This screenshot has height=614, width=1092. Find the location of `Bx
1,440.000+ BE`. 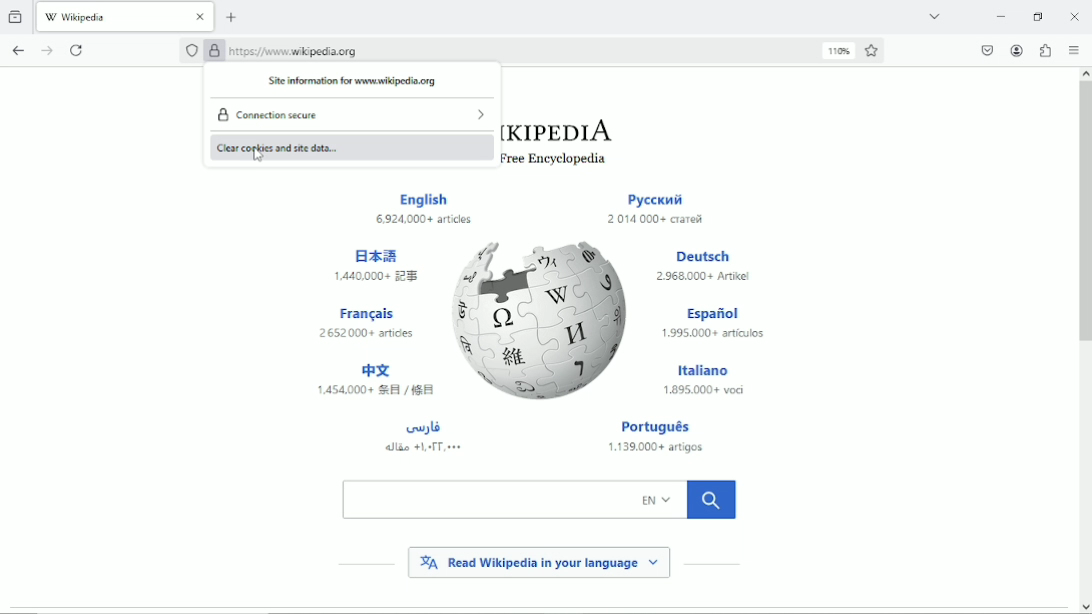

Bx
1,440.000+ BE is located at coordinates (380, 263).